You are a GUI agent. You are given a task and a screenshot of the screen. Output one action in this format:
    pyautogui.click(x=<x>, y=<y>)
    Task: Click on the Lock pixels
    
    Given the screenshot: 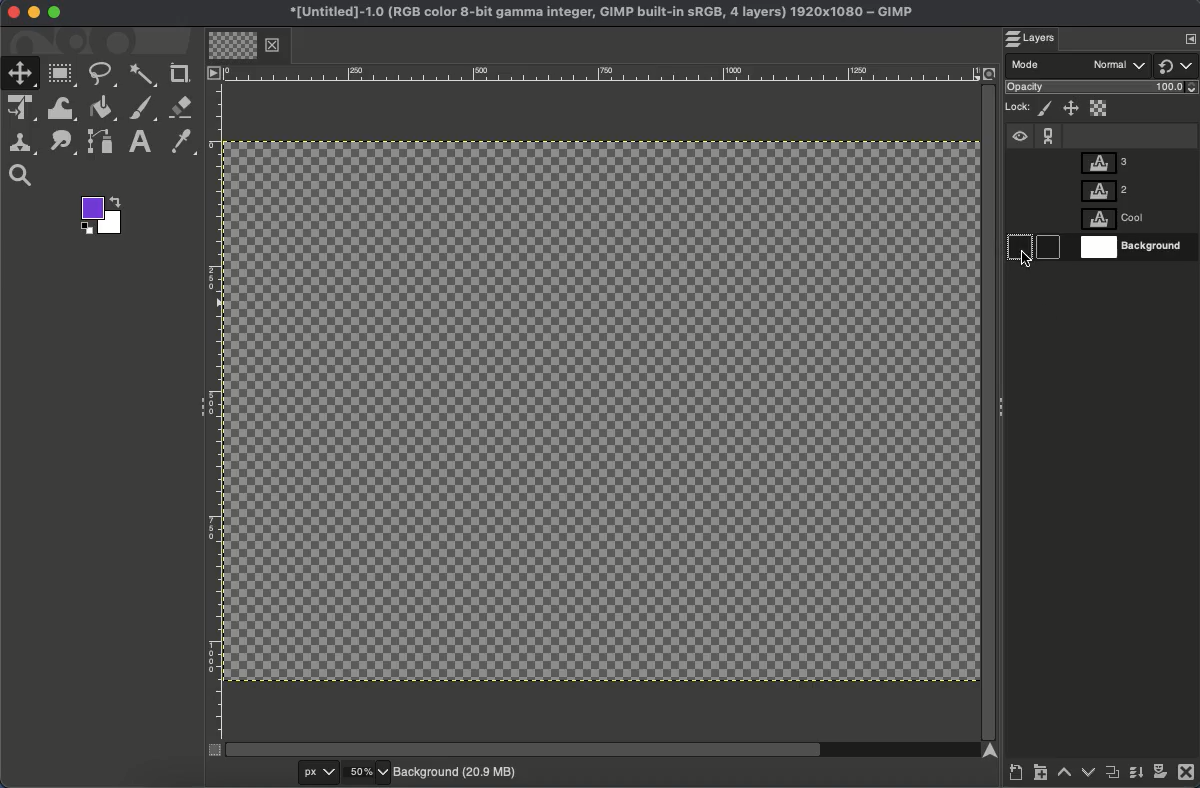 What is the action you would take?
    pyautogui.click(x=1047, y=109)
    